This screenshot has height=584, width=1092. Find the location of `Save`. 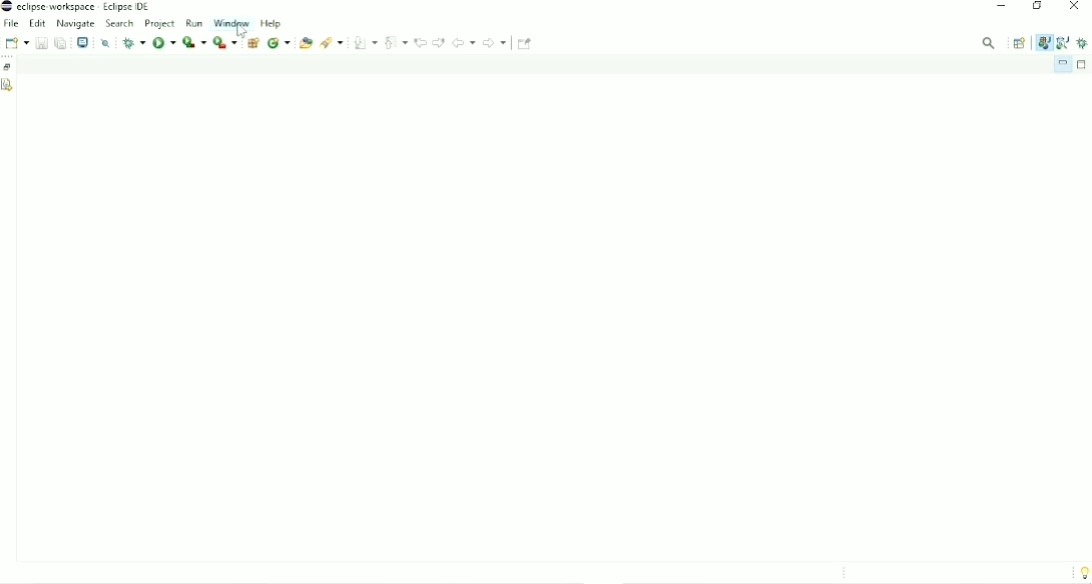

Save is located at coordinates (40, 43).